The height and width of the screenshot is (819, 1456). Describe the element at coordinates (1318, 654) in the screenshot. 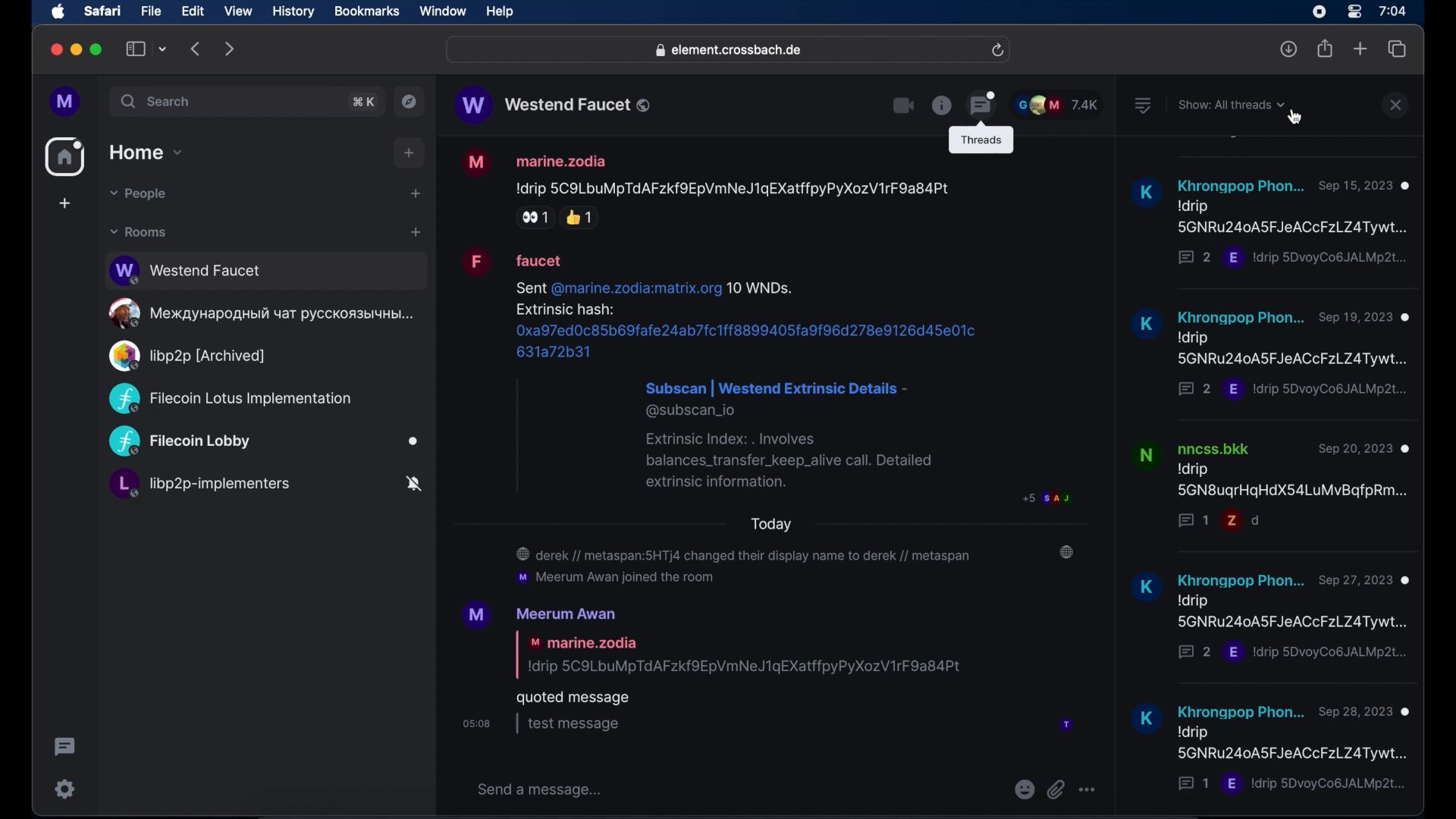

I see `E Idrip 5DvoyCo6JALMp2t...` at that location.